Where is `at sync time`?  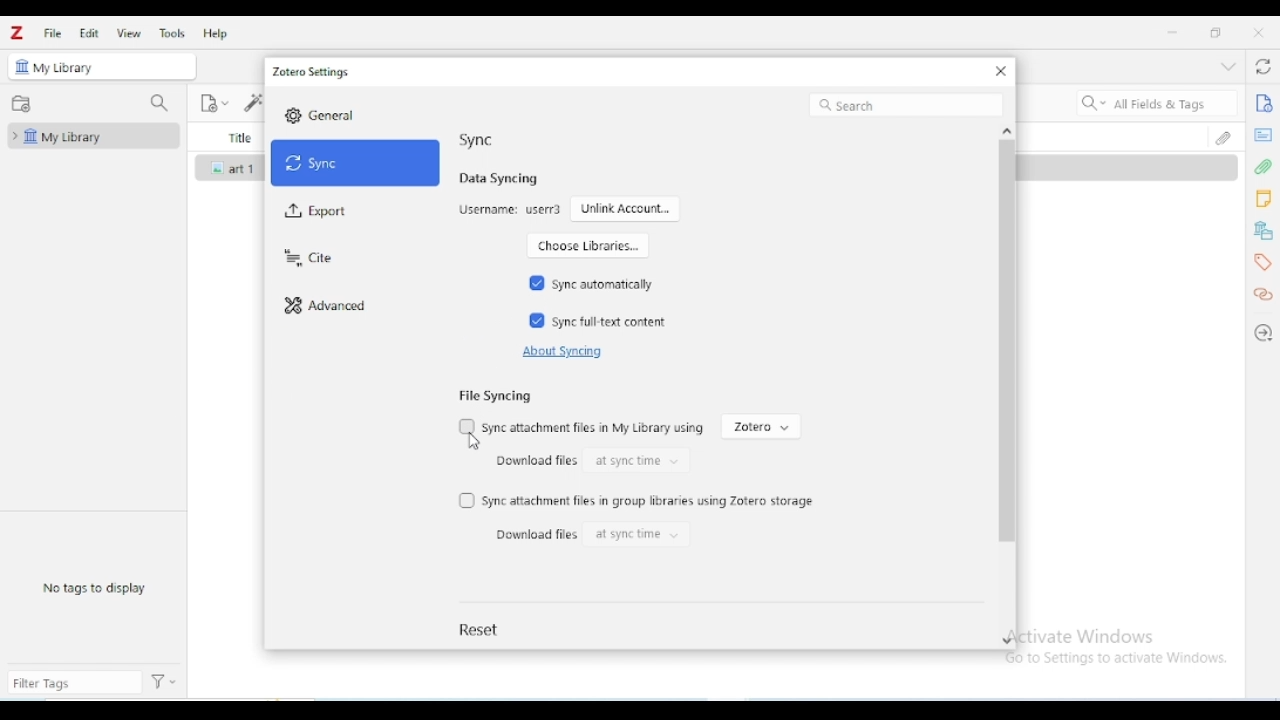 at sync time is located at coordinates (635, 535).